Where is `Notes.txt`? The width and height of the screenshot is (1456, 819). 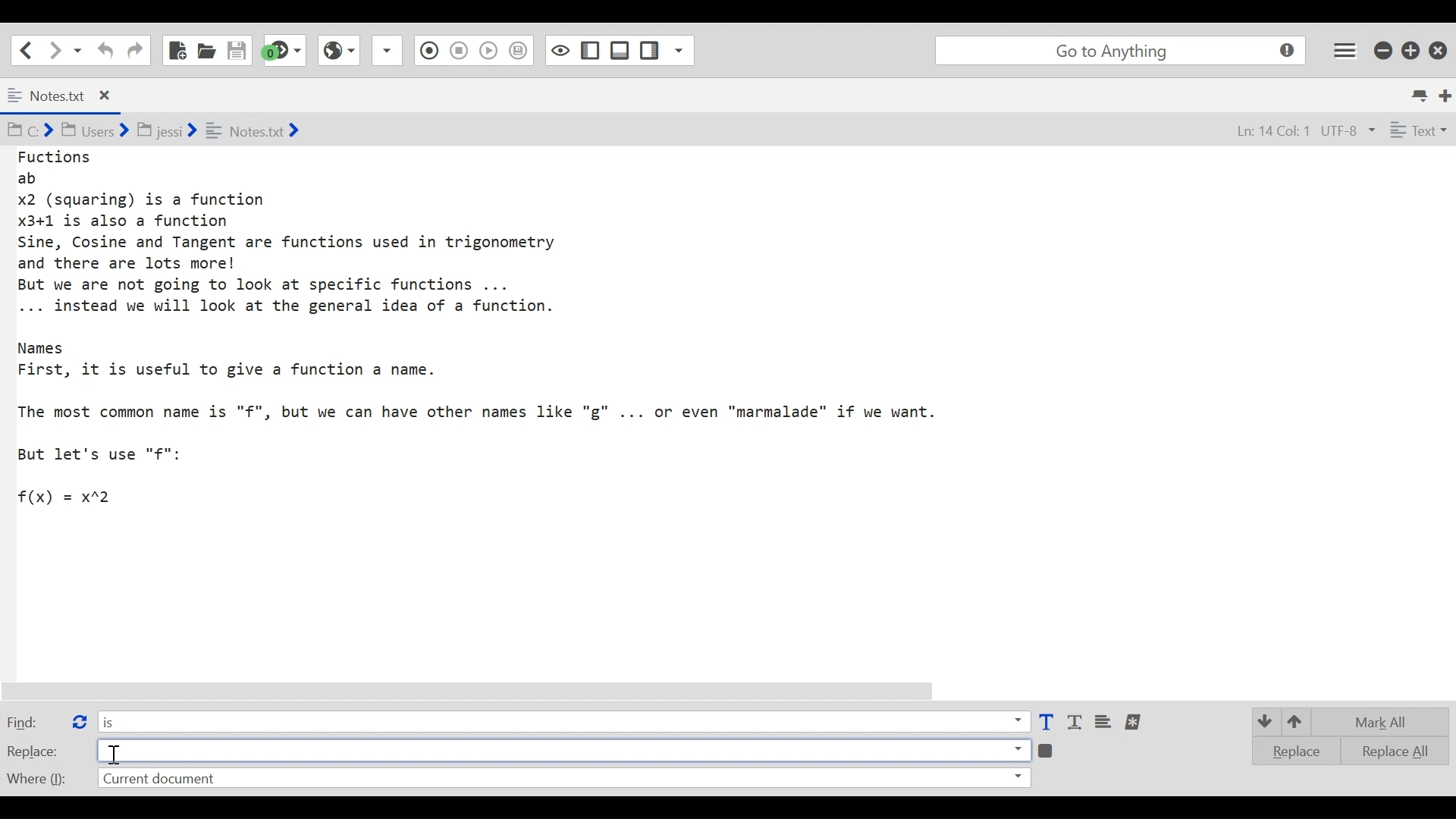
Notes.txt is located at coordinates (71, 96).